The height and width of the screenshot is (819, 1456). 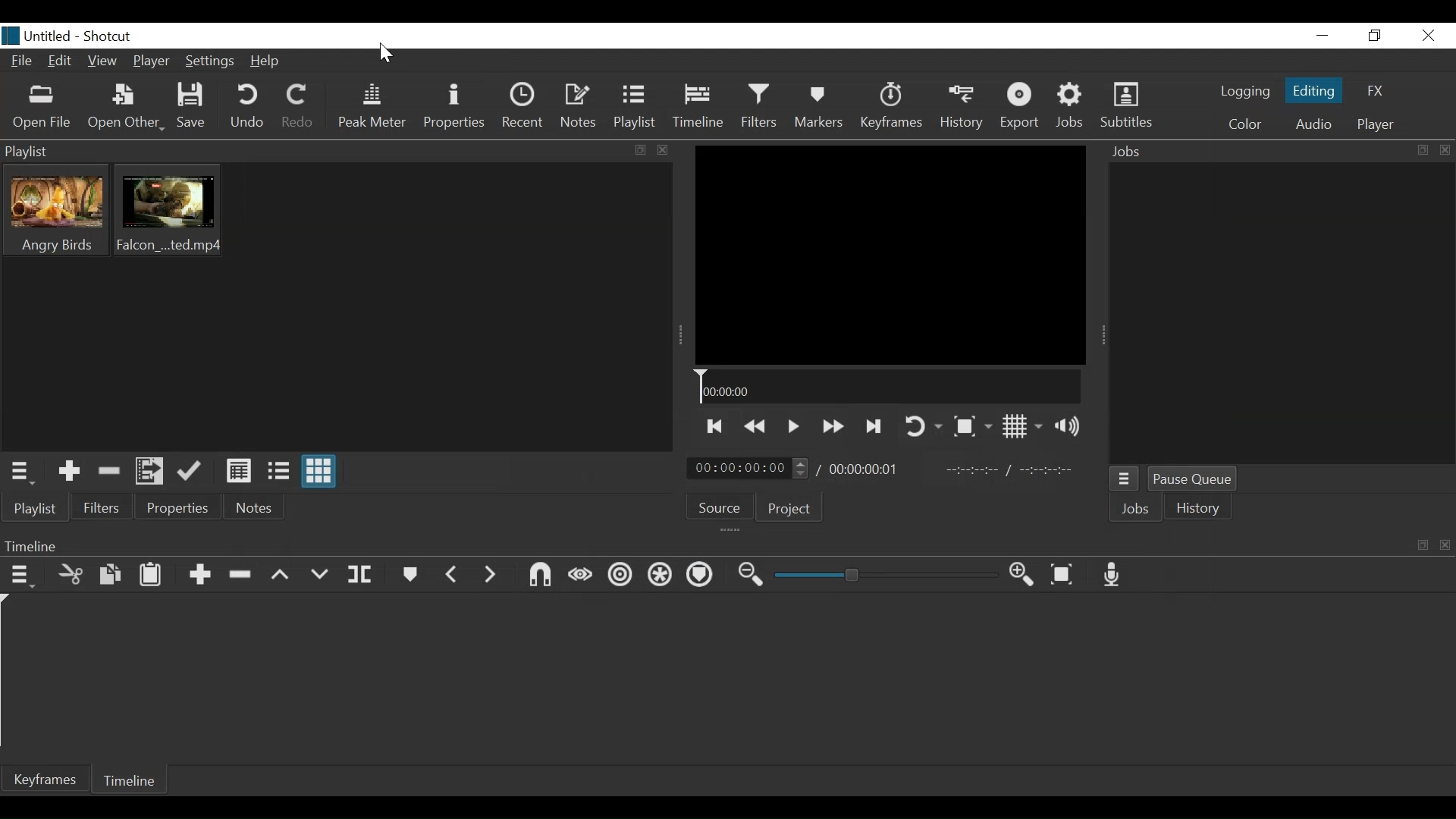 What do you see at coordinates (268, 61) in the screenshot?
I see `Help` at bounding box center [268, 61].